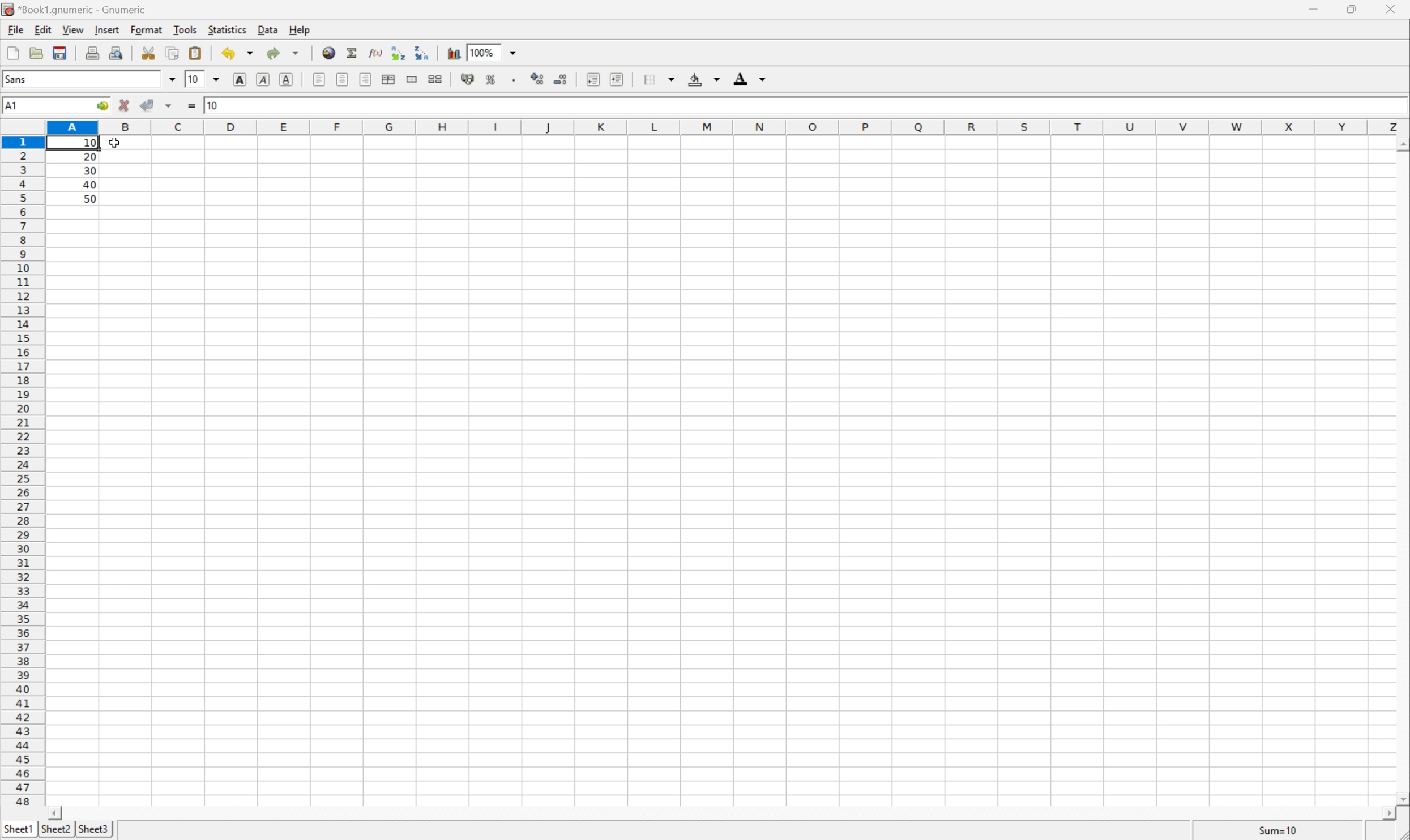 The image size is (1410, 840). Describe the element at coordinates (399, 52) in the screenshot. I see `Sort the selected region in ascending order based on the first column selected` at that location.